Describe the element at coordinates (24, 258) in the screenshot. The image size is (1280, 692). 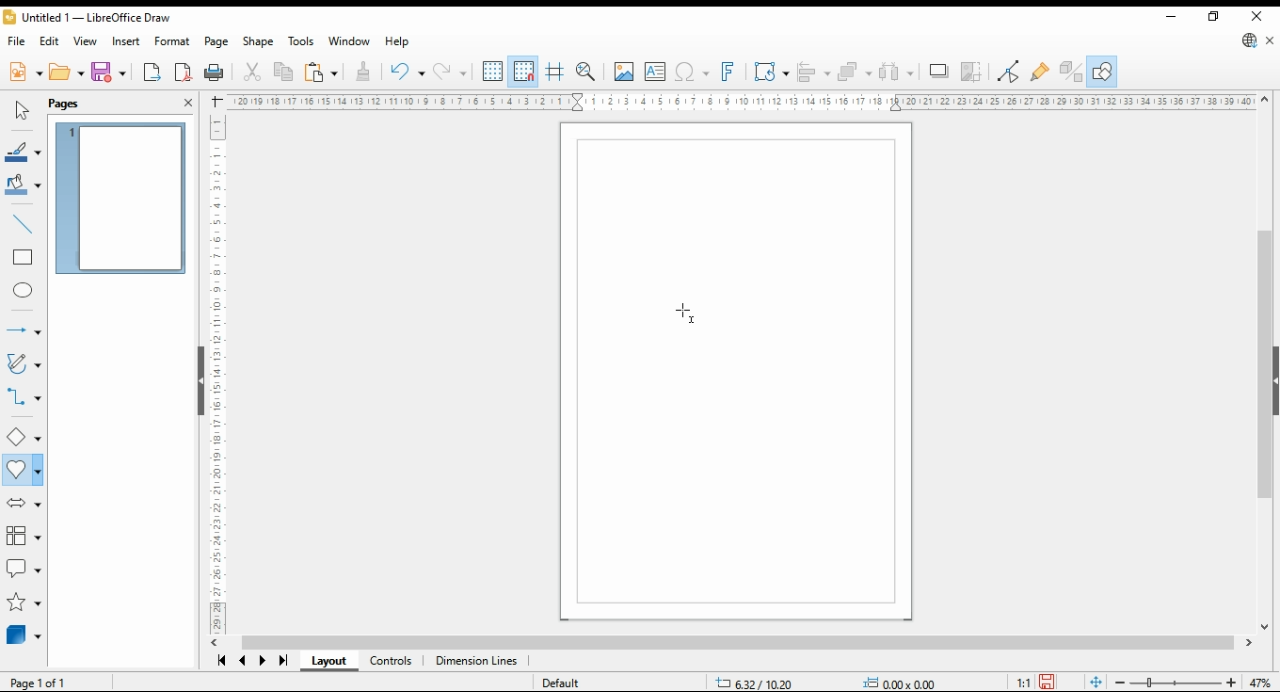
I see `rectangle` at that location.